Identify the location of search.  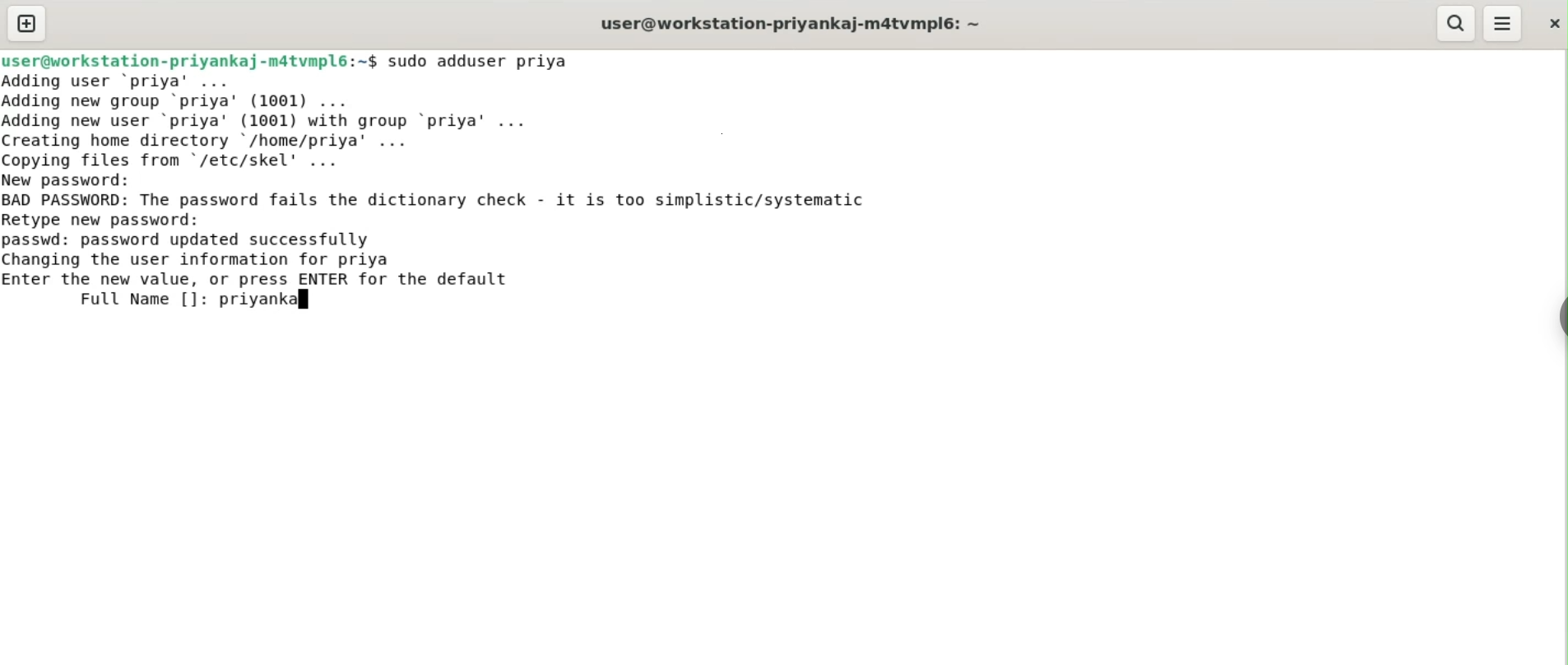
(1454, 23).